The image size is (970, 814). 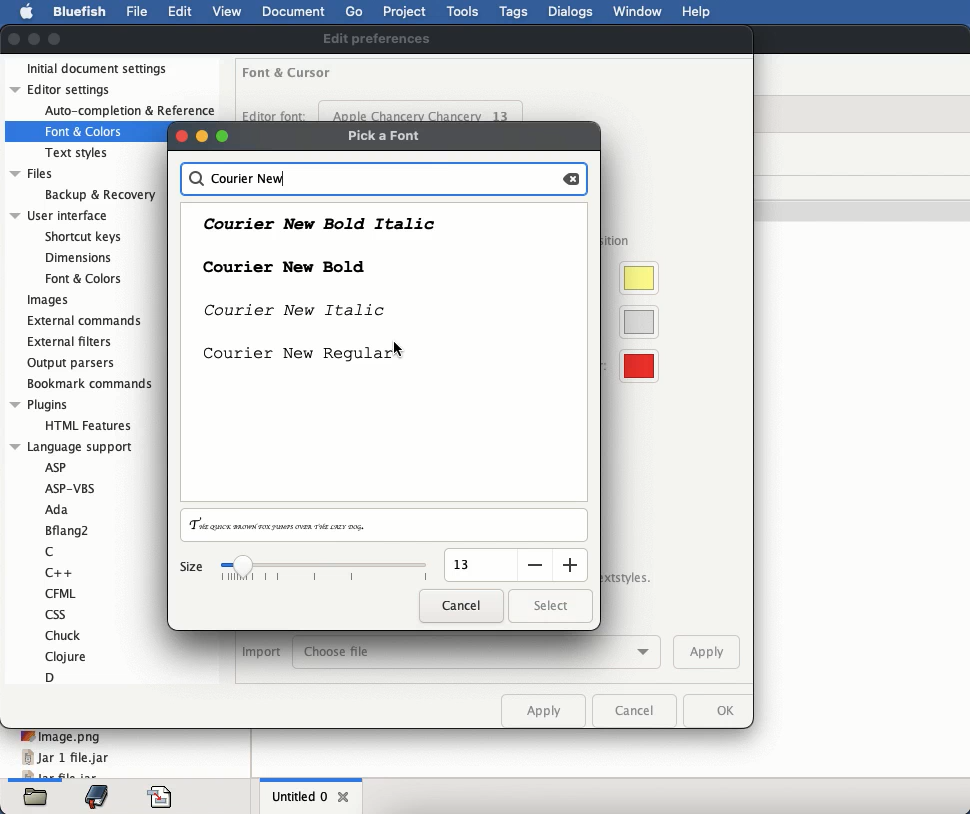 What do you see at coordinates (287, 71) in the screenshot?
I see `font and cursor` at bounding box center [287, 71].